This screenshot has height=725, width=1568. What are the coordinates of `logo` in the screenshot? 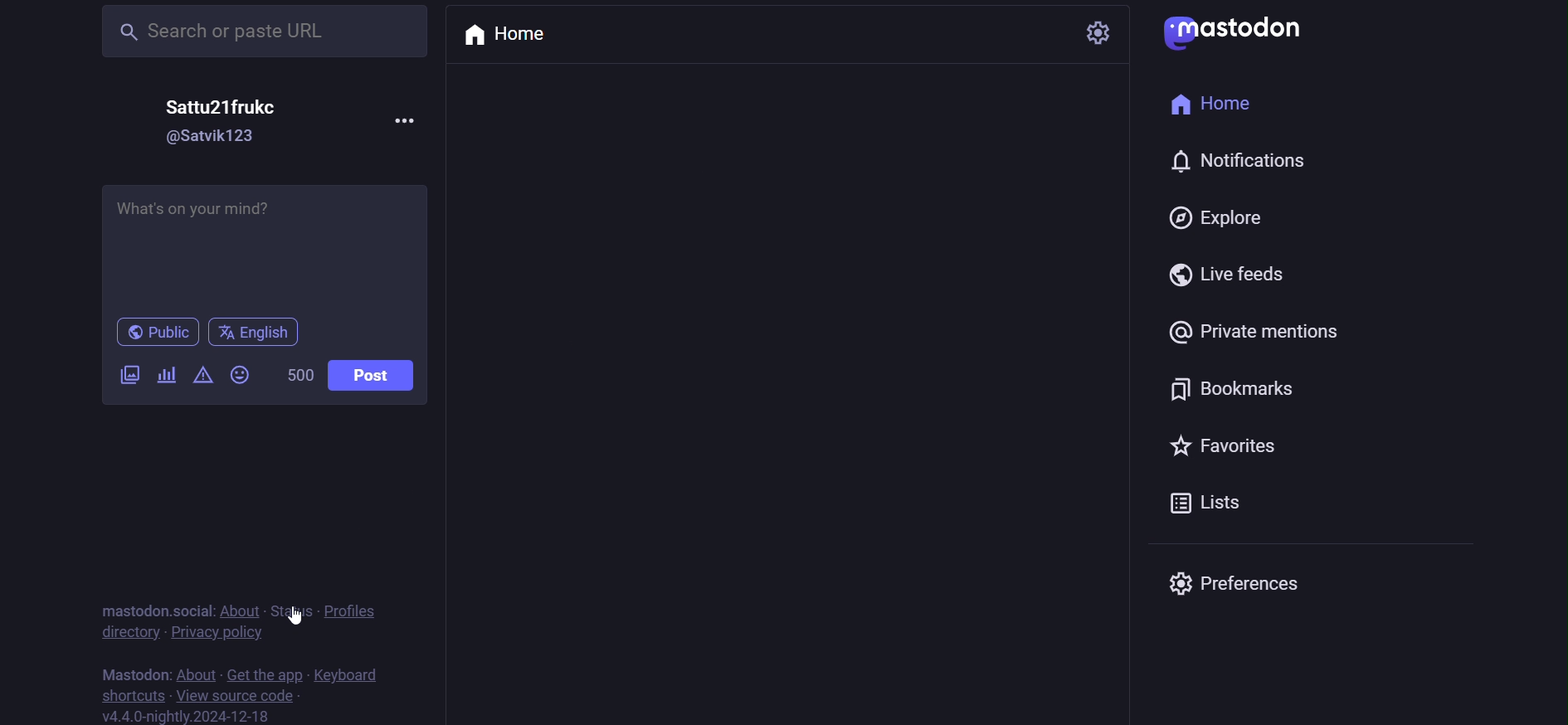 It's located at (1230, 34).